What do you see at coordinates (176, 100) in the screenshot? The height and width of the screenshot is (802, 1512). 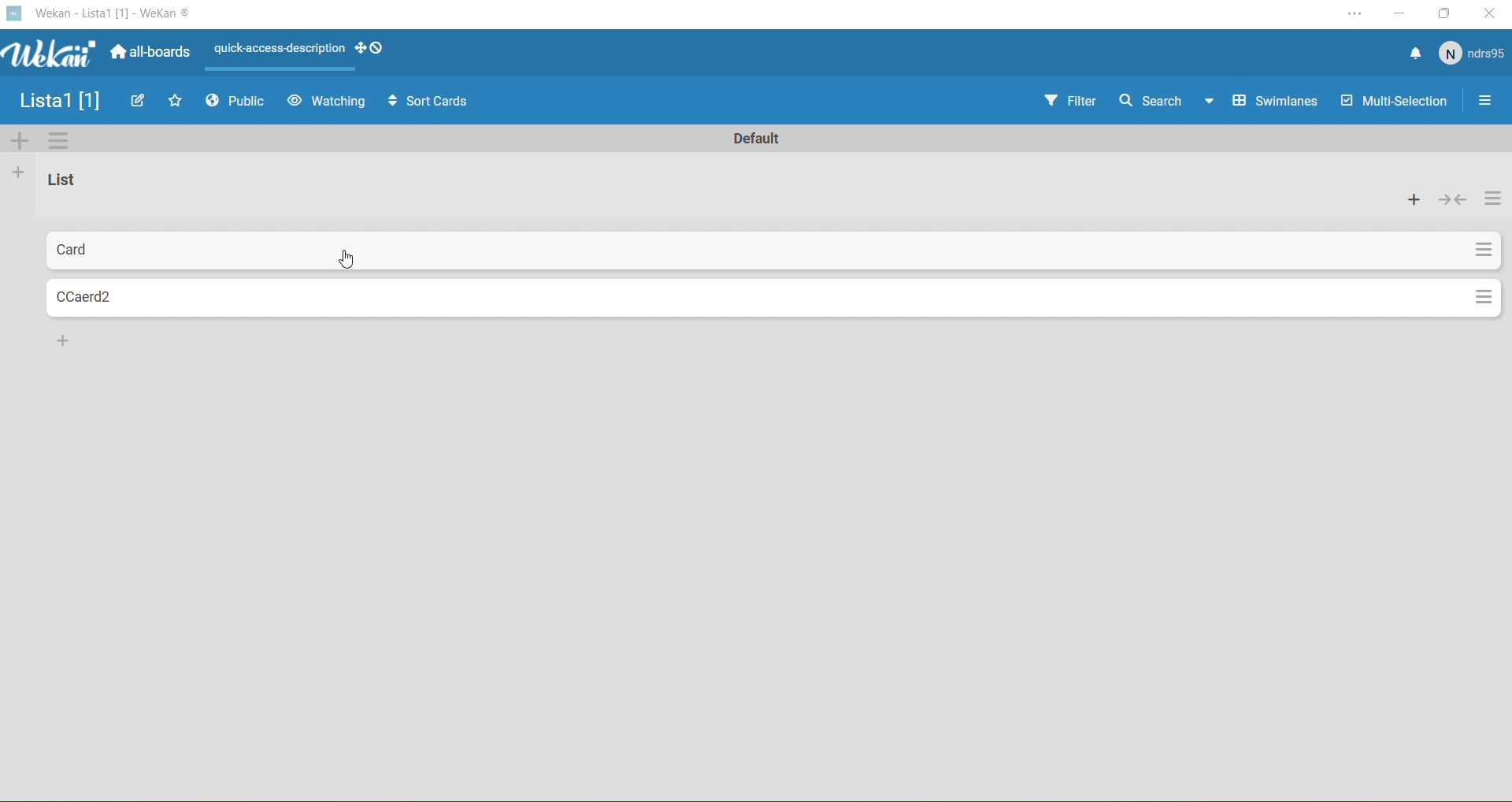 I see `Favourites` at bounding box center [176, 100].